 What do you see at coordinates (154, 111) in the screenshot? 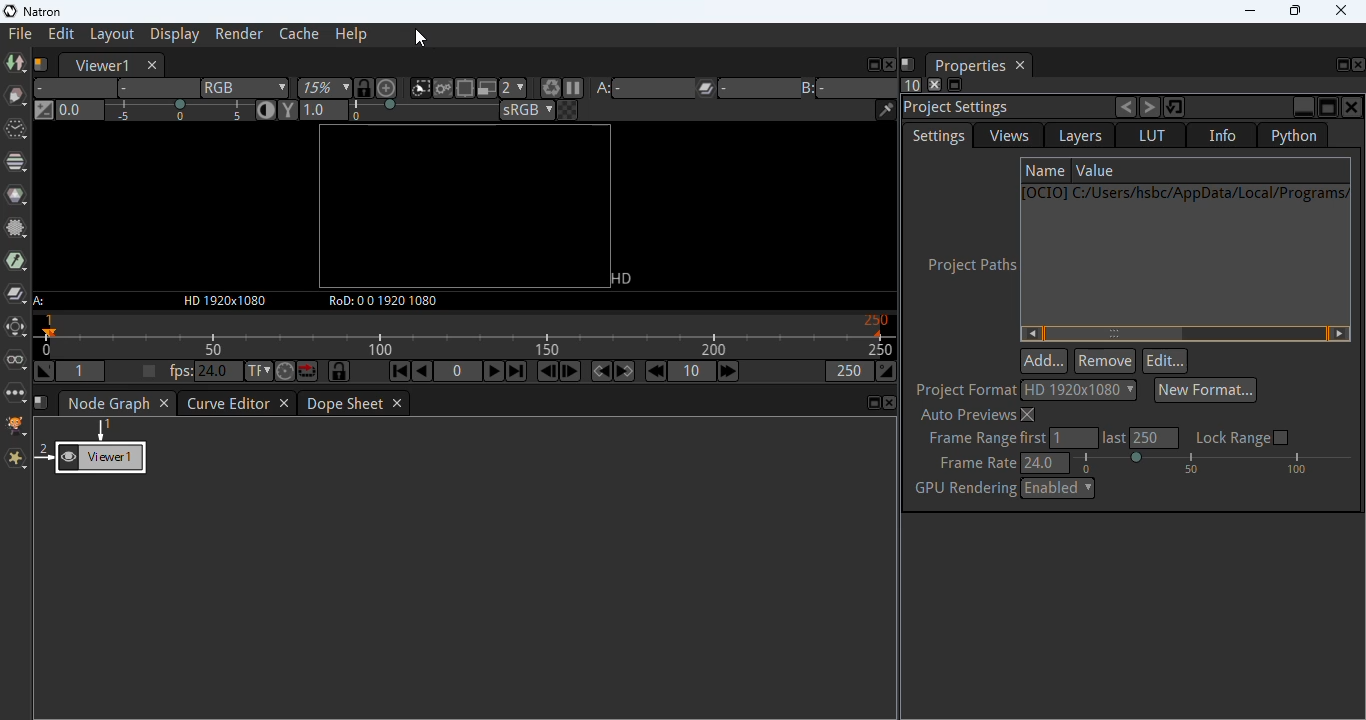
I see `gain` at bounding box center [154, 111].